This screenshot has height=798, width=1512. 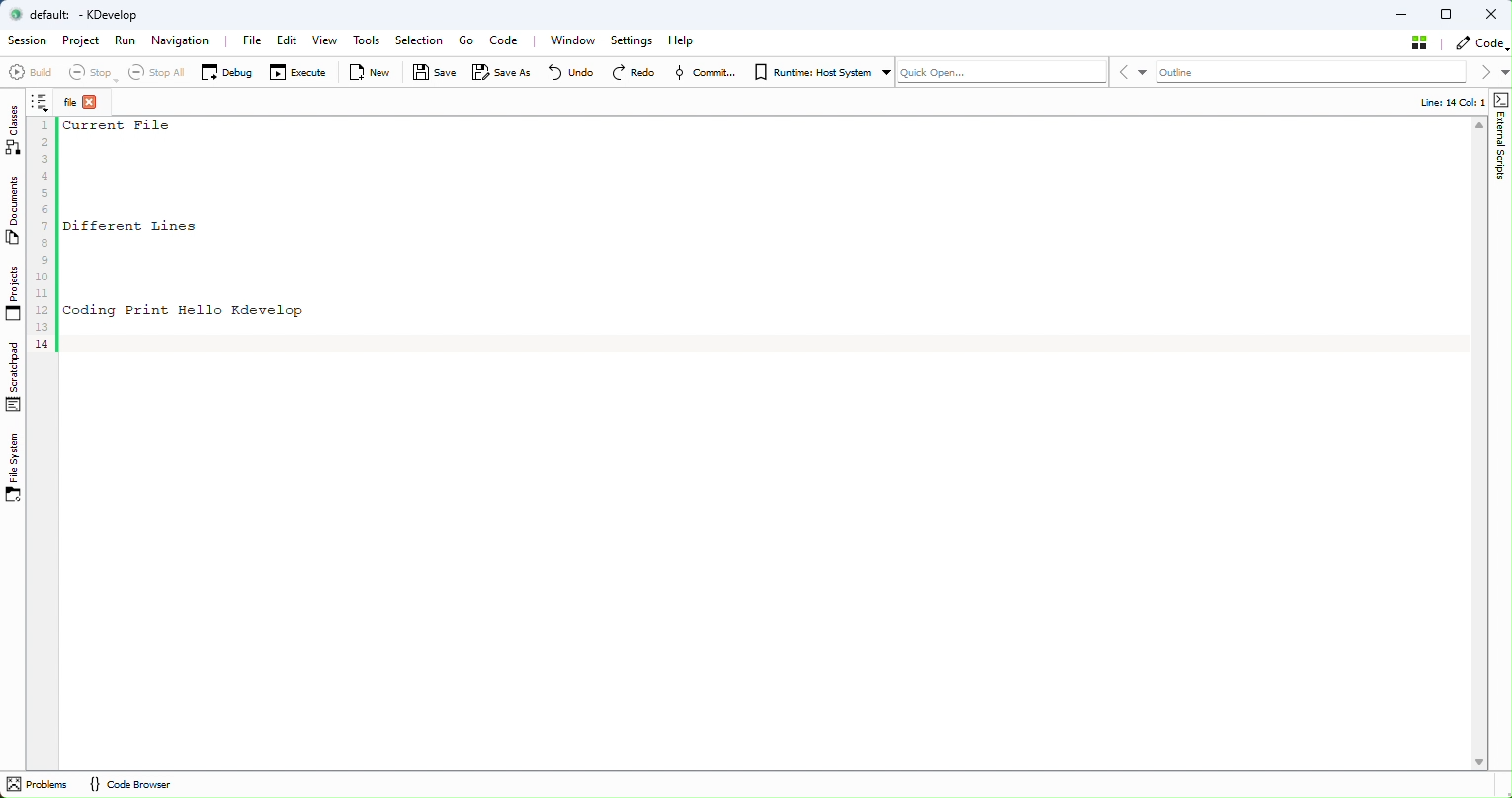 I want to click on Code Browser, so click(x=128, y=785).